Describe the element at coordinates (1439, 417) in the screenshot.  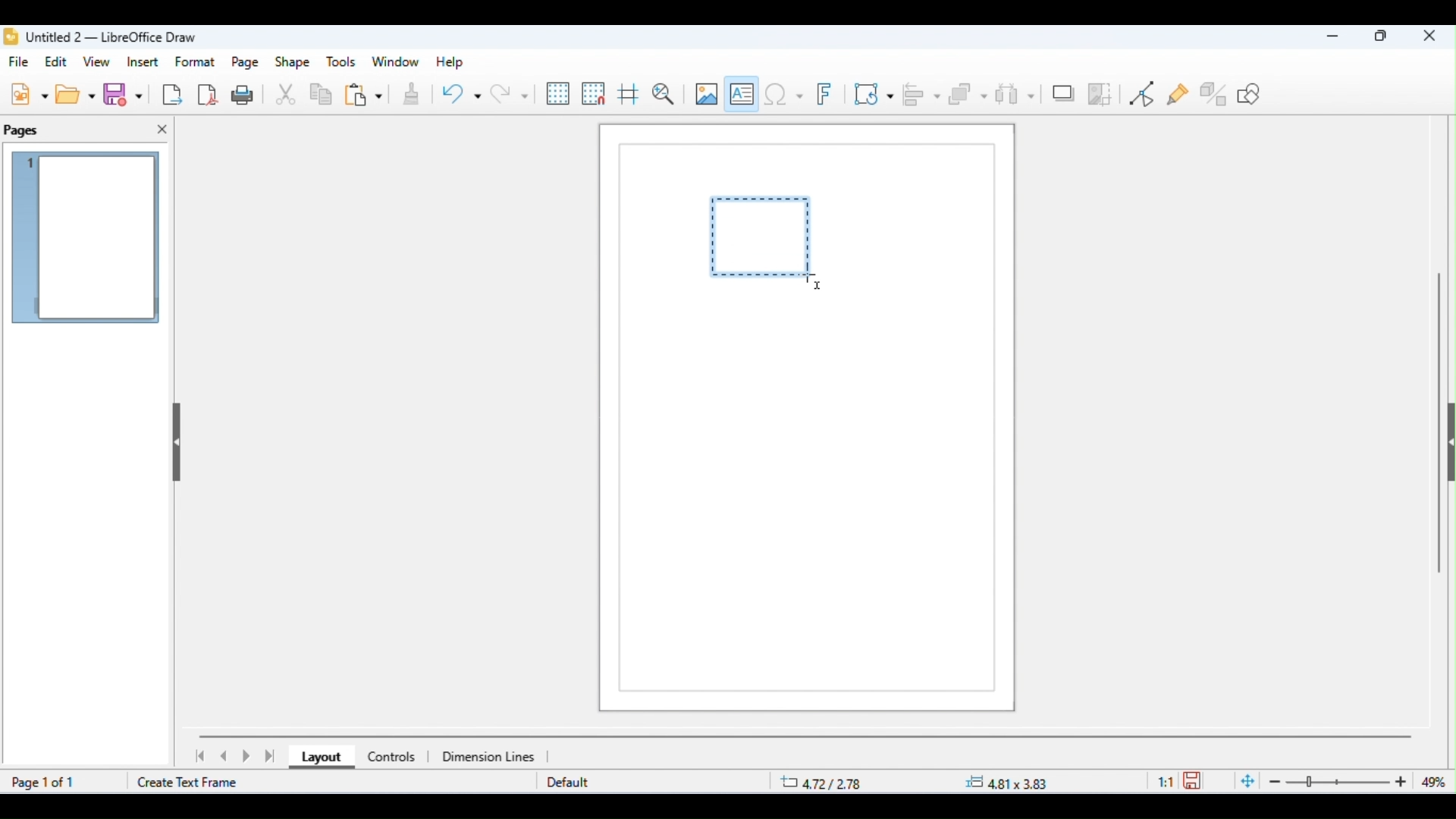
I see `vertical scroll bar` at that location.